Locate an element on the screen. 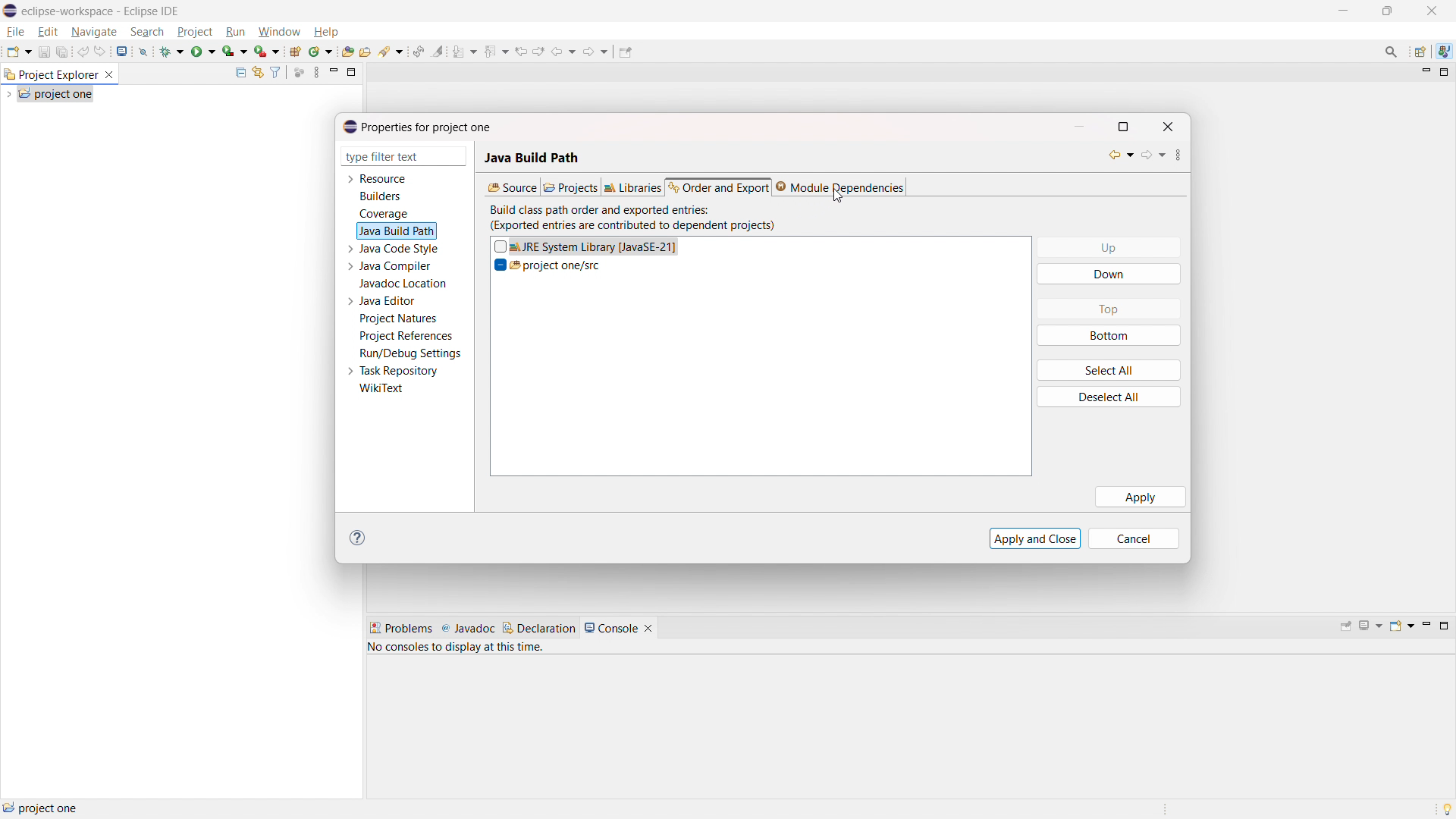 This screenshot has height=819, width=1456. minimize is located at coordinates (1424, 73).